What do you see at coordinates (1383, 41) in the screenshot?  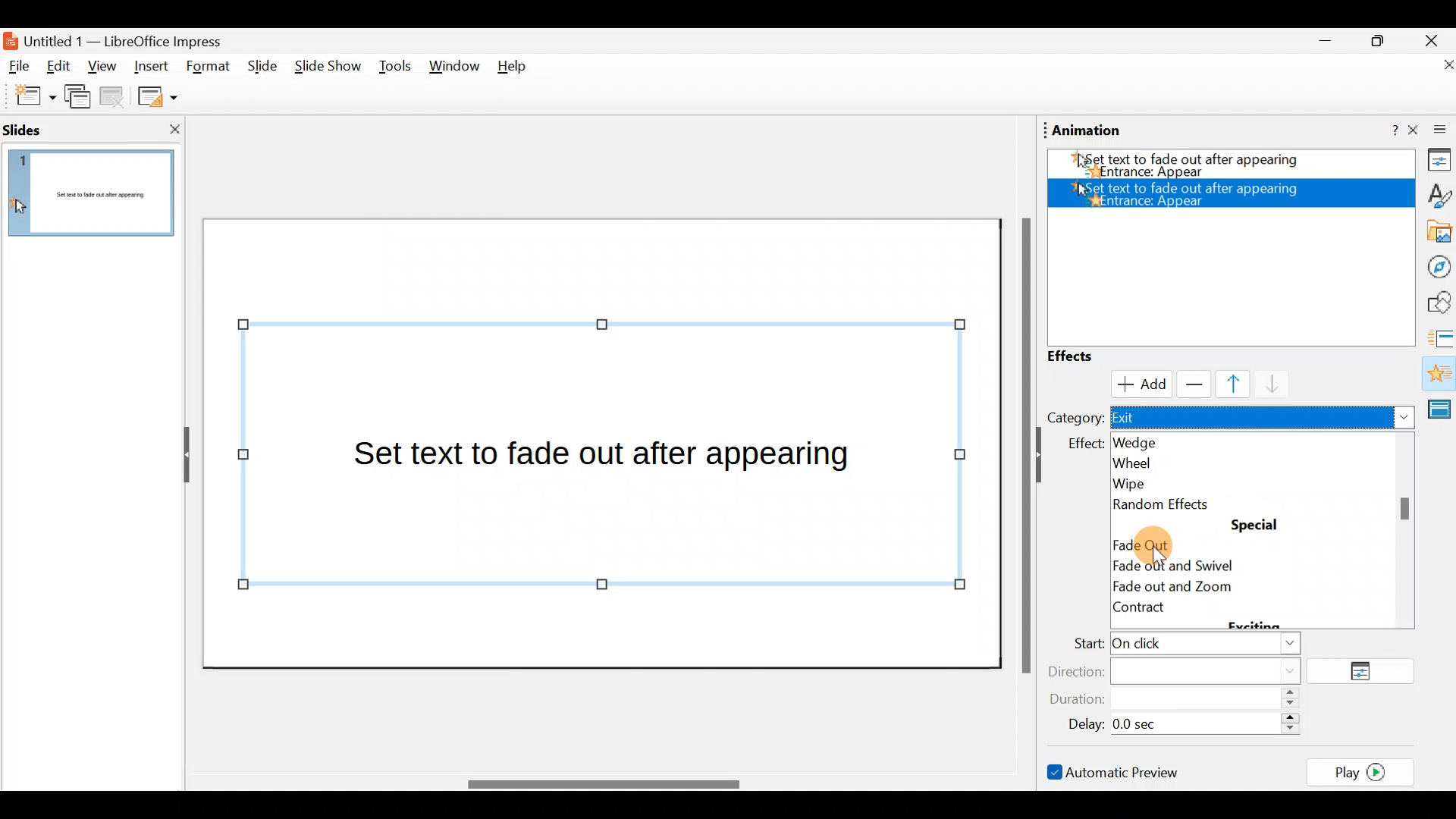 I see `Maximise` at bounding box center [1383, 41].